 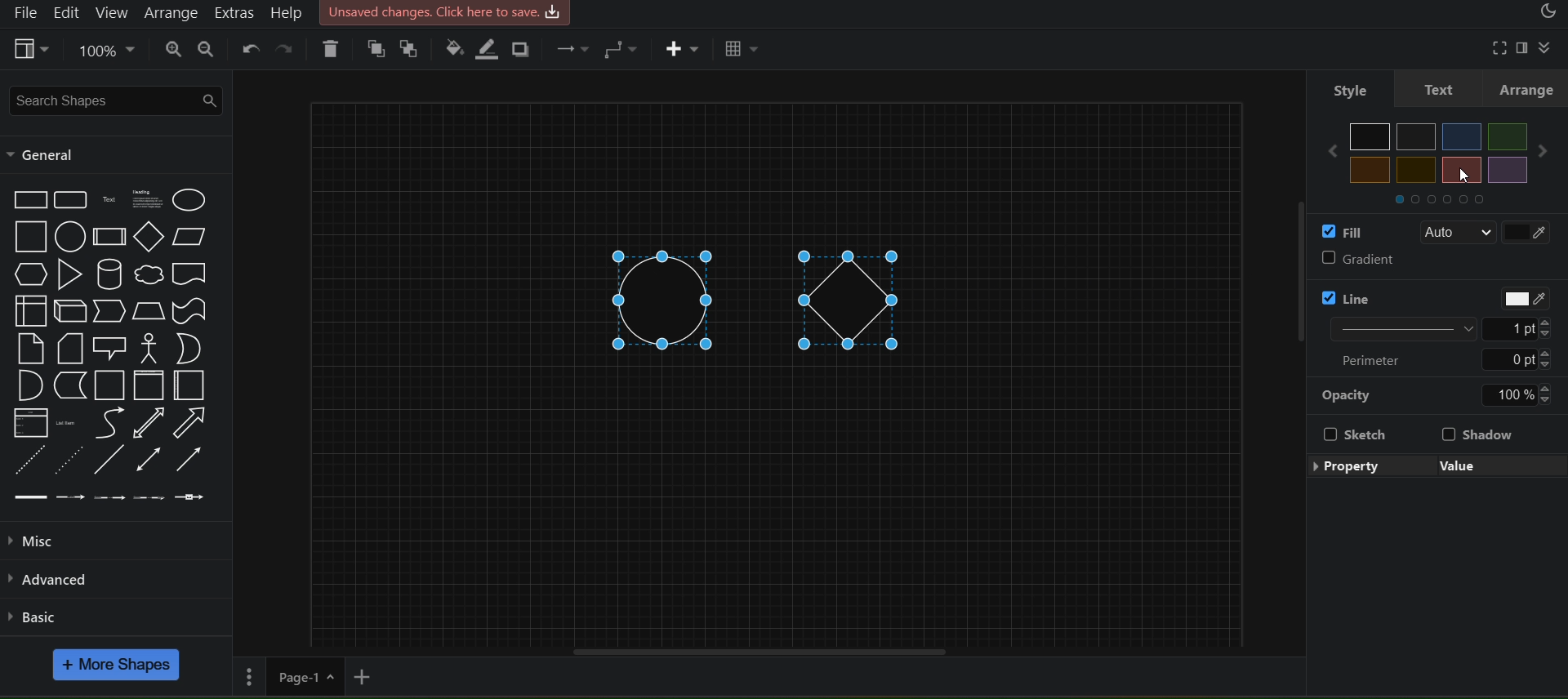 What do you see at coordinates (30, 201) in the screenshot?
I see `Rectangle` at bounding box center [30, 201].